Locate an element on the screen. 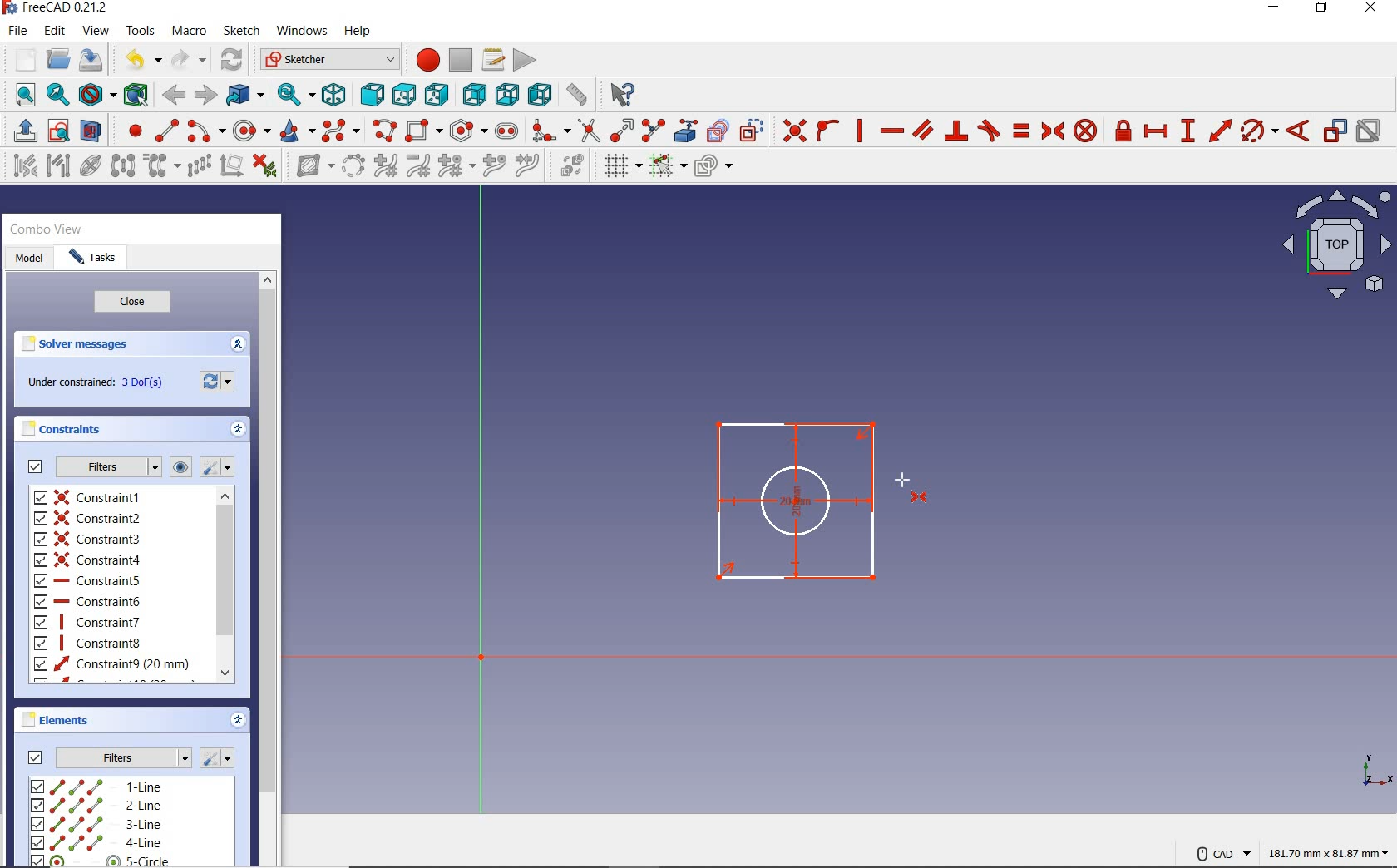  Scroll up is located at coordinates (228, 495).